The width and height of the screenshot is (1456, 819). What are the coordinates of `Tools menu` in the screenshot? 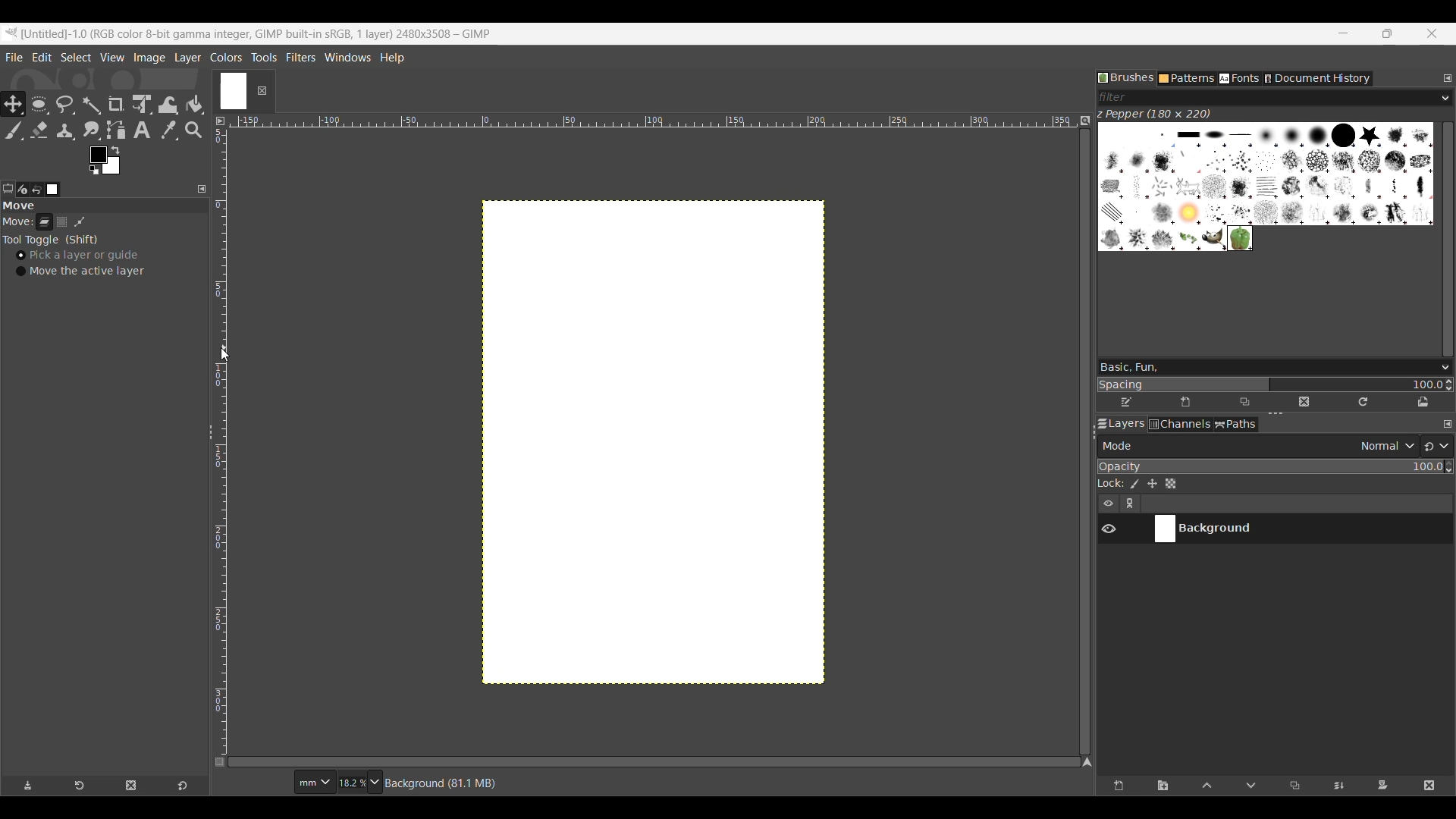 It's located at (264, 57).